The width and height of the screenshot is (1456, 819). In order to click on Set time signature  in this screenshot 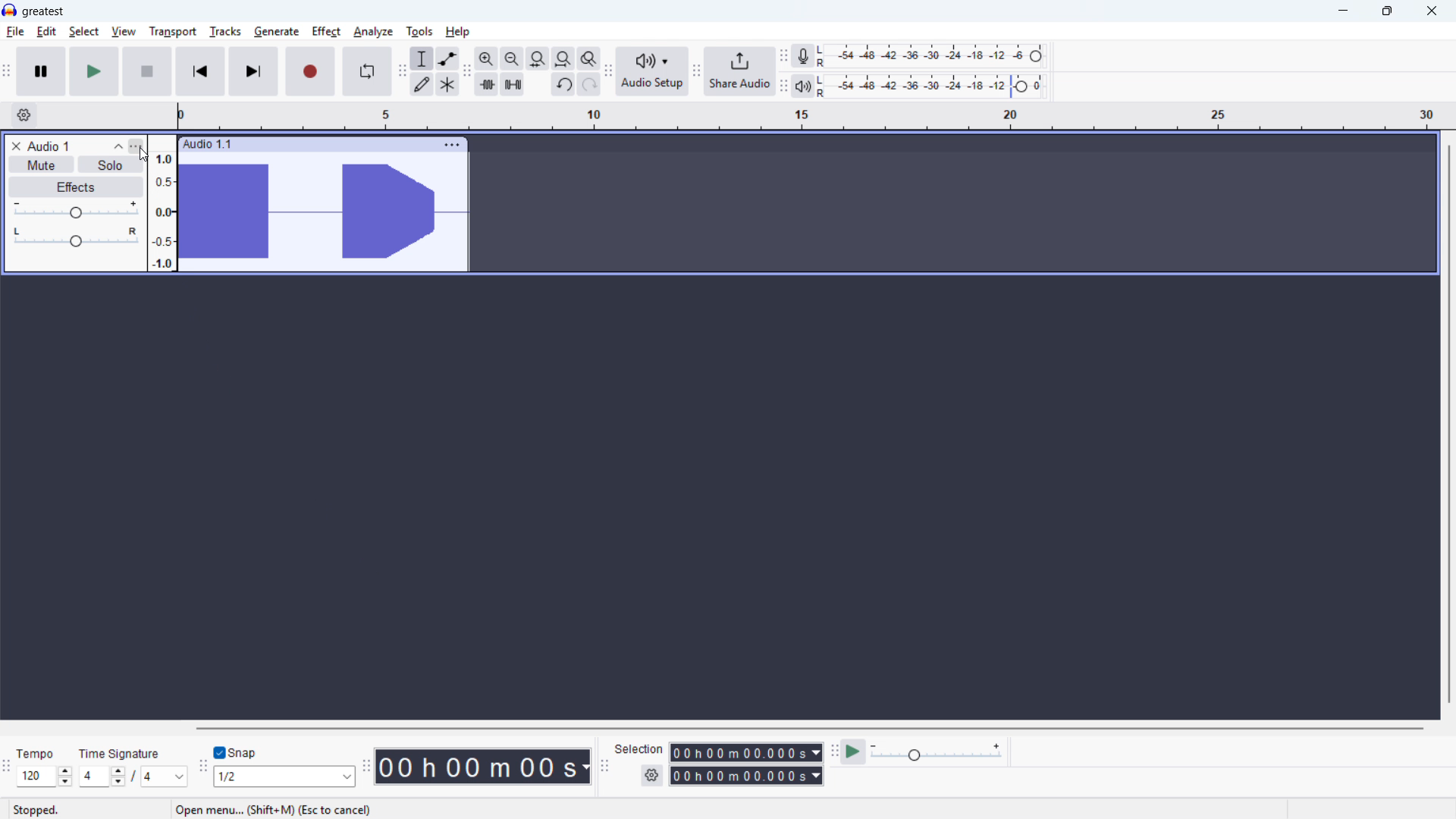, I will do `click(131, 777)`.